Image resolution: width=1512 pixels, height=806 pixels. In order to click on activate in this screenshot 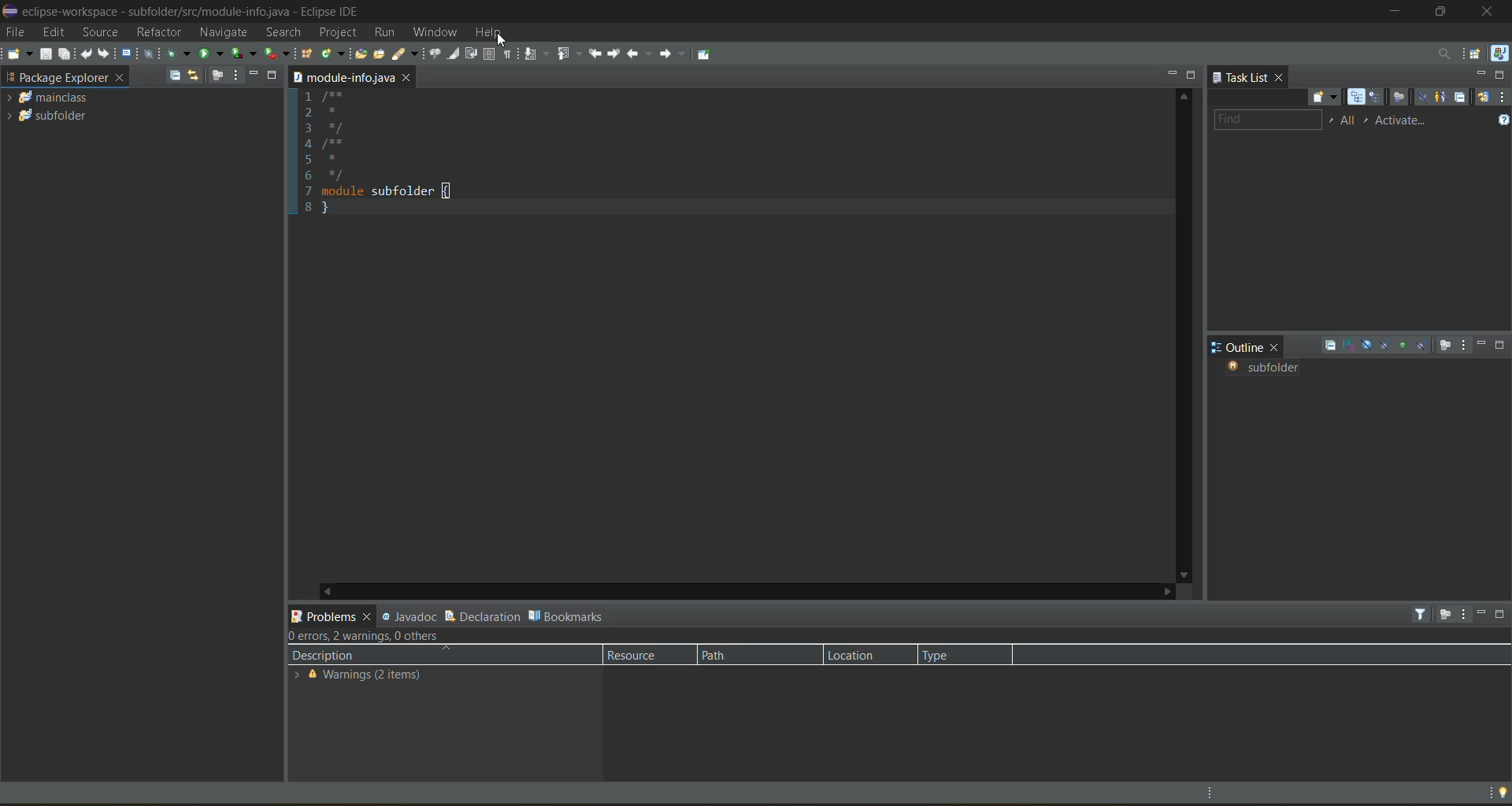, I will do `click(1410, 120)`.